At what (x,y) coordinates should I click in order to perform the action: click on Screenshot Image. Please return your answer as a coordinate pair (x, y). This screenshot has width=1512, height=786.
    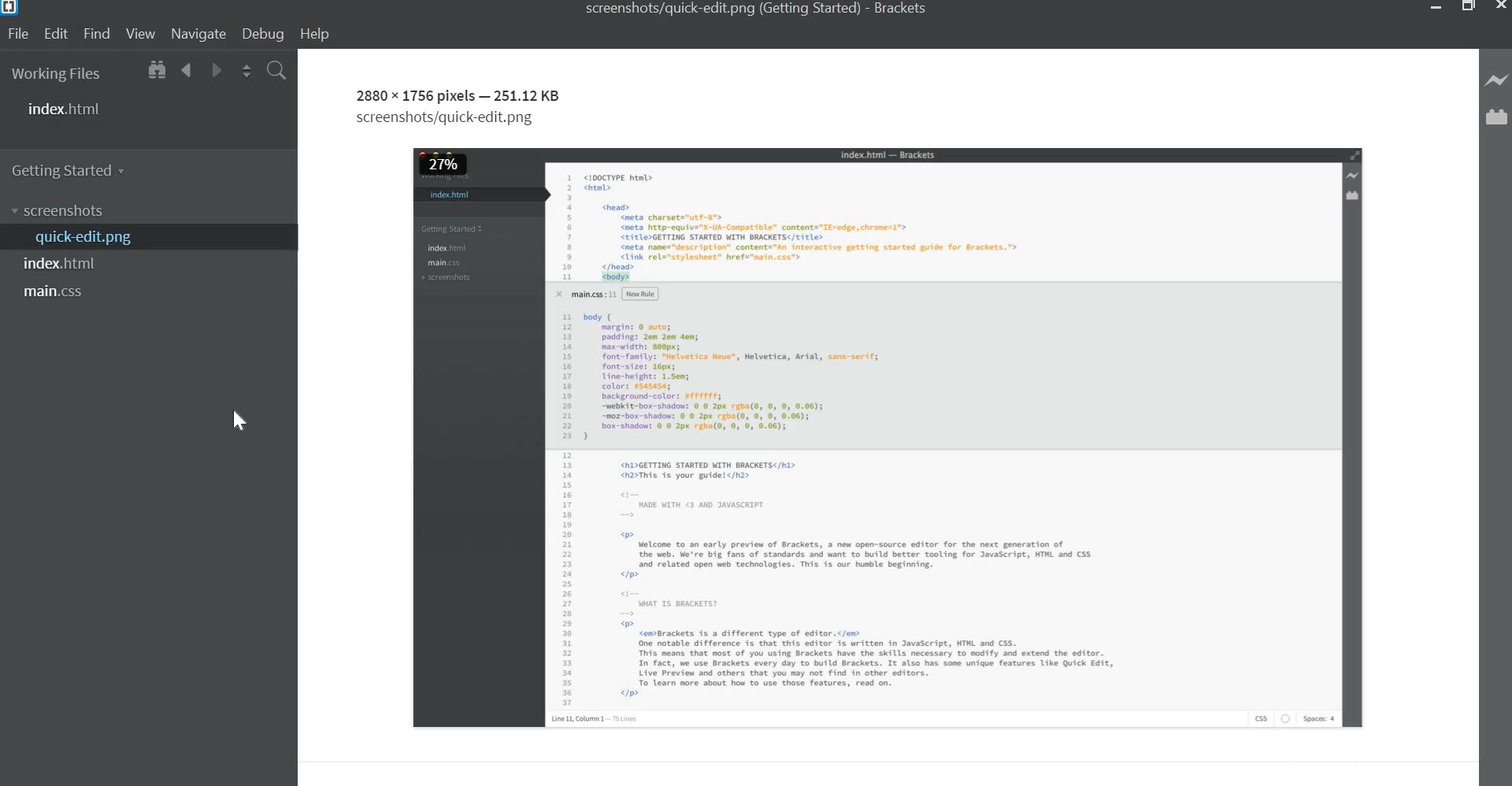
    Looking at the image, I should click on (889, 437).